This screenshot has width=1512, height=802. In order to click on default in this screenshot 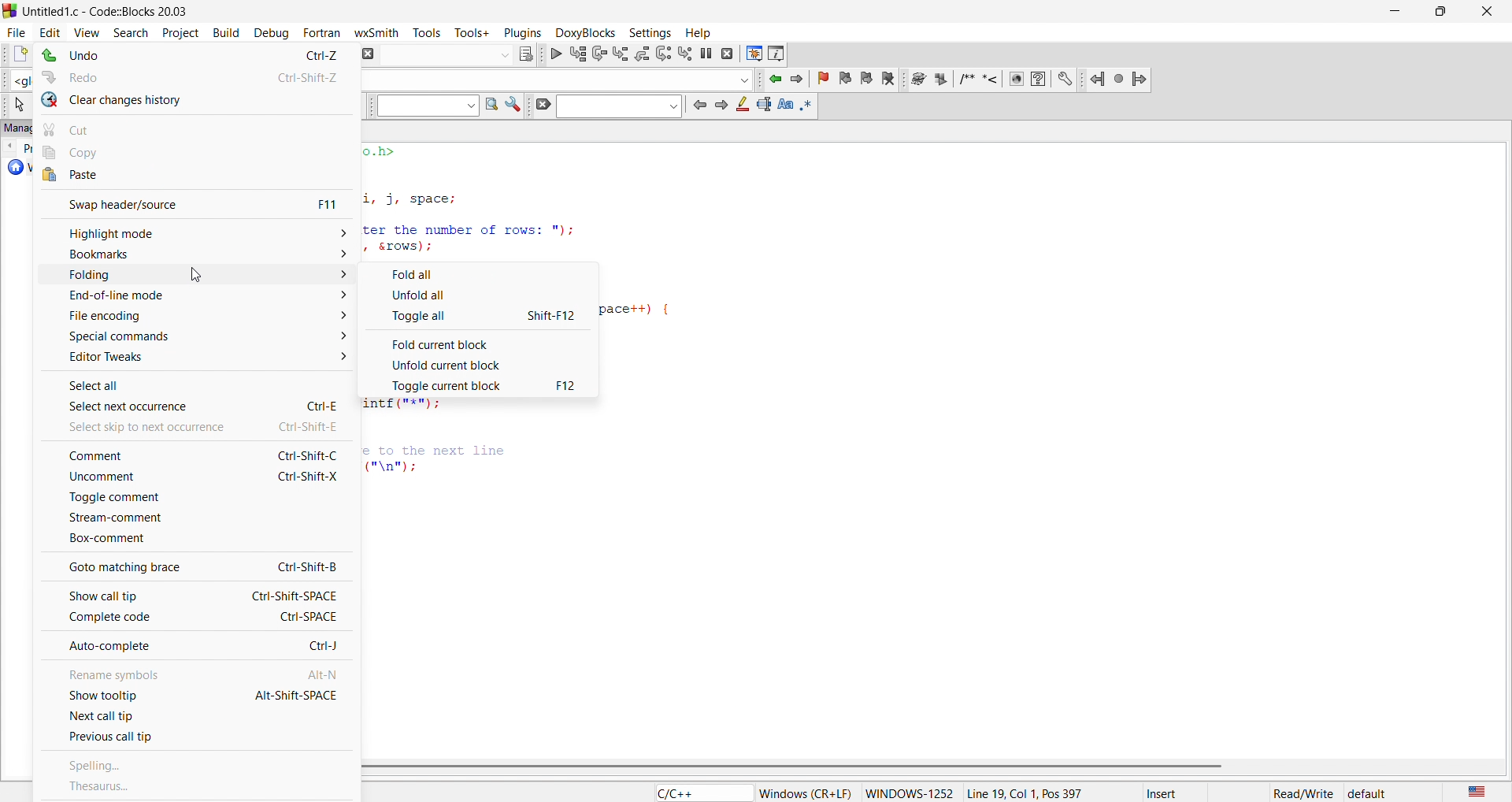, I will do `click(1368, 793)`.